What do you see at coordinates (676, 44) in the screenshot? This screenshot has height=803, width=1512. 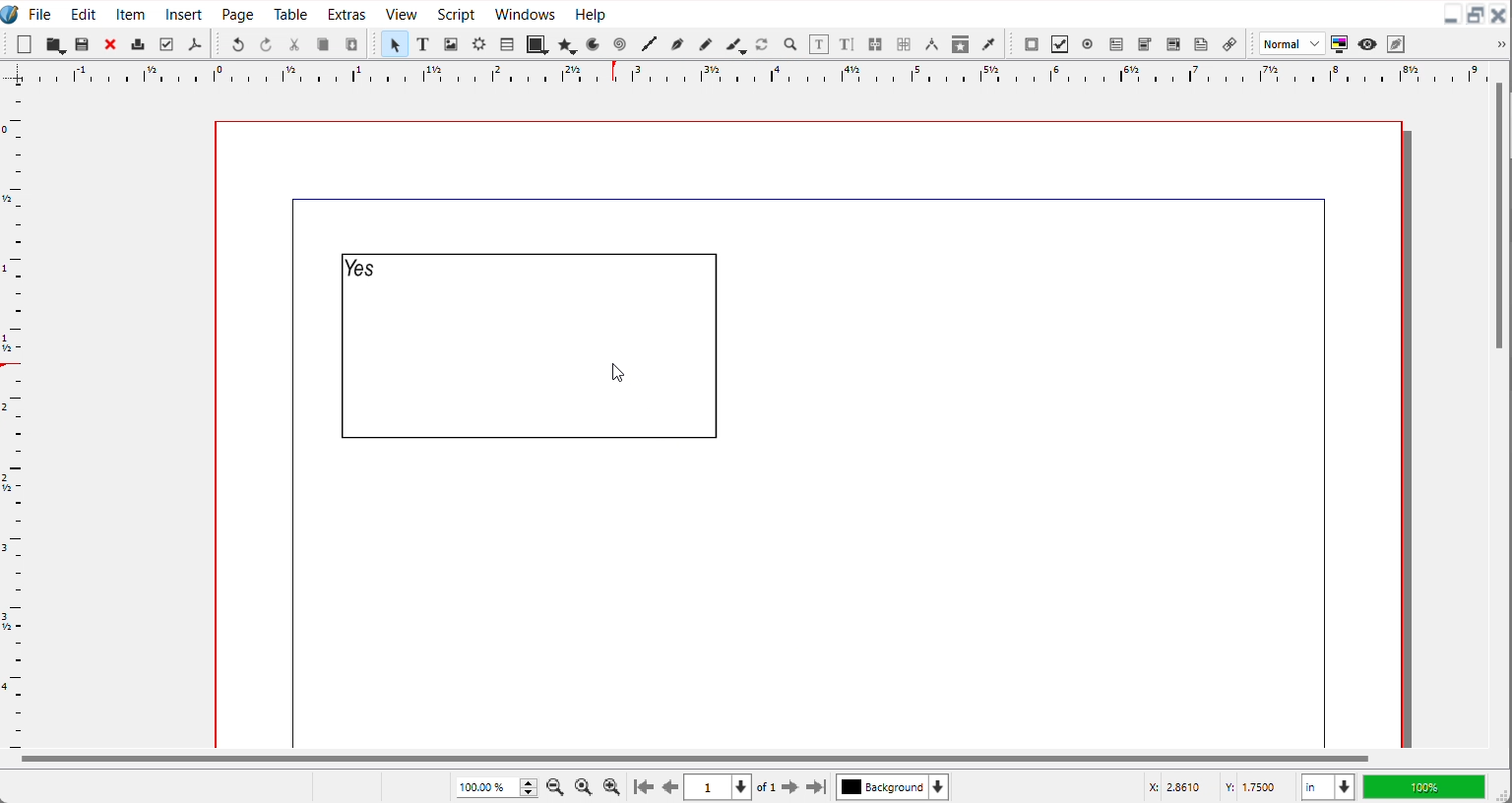 I see `Bezier curve` at bounding box center [676, 44].